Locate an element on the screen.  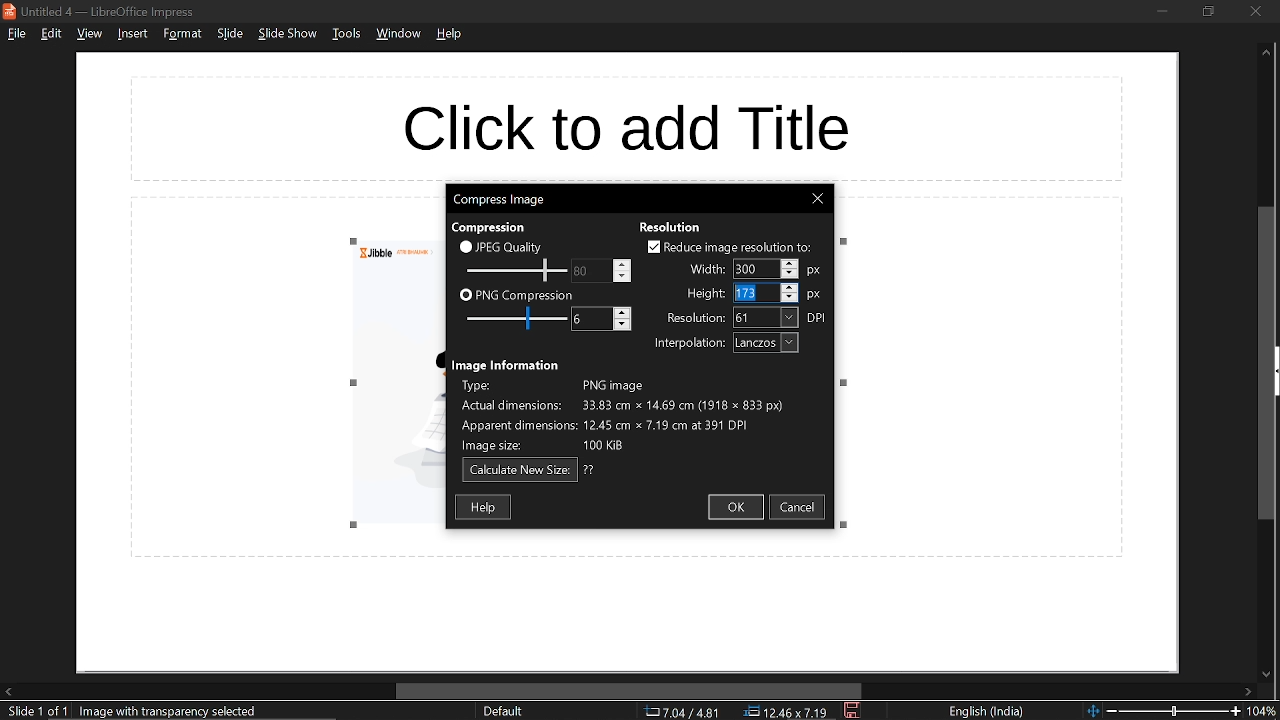
JPEG quality scale is located at coordinates (517, 269).